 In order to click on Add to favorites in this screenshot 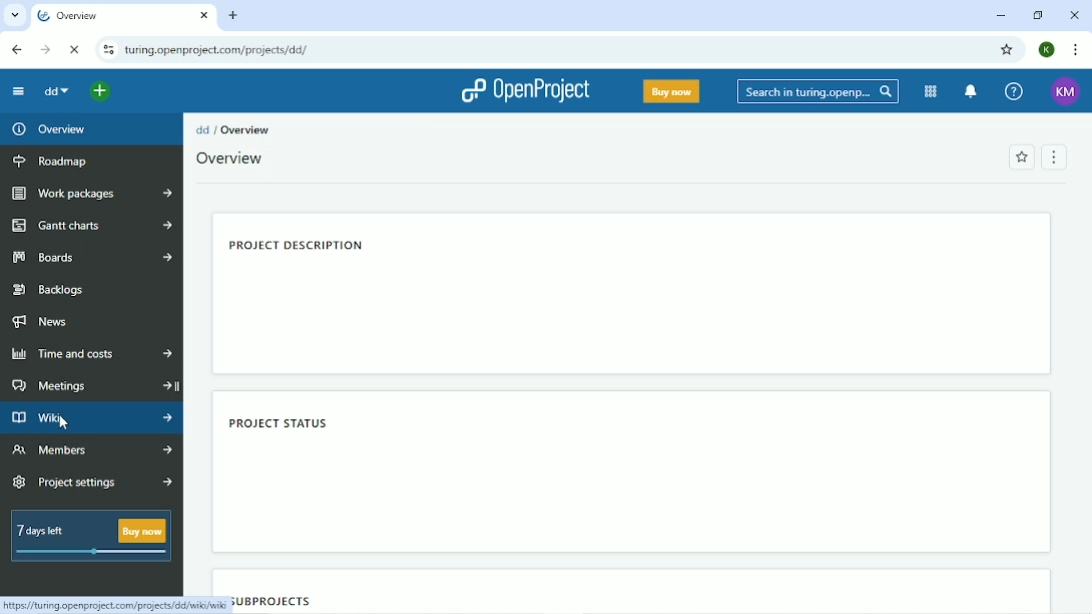, I will do `click(1021, 157)`.